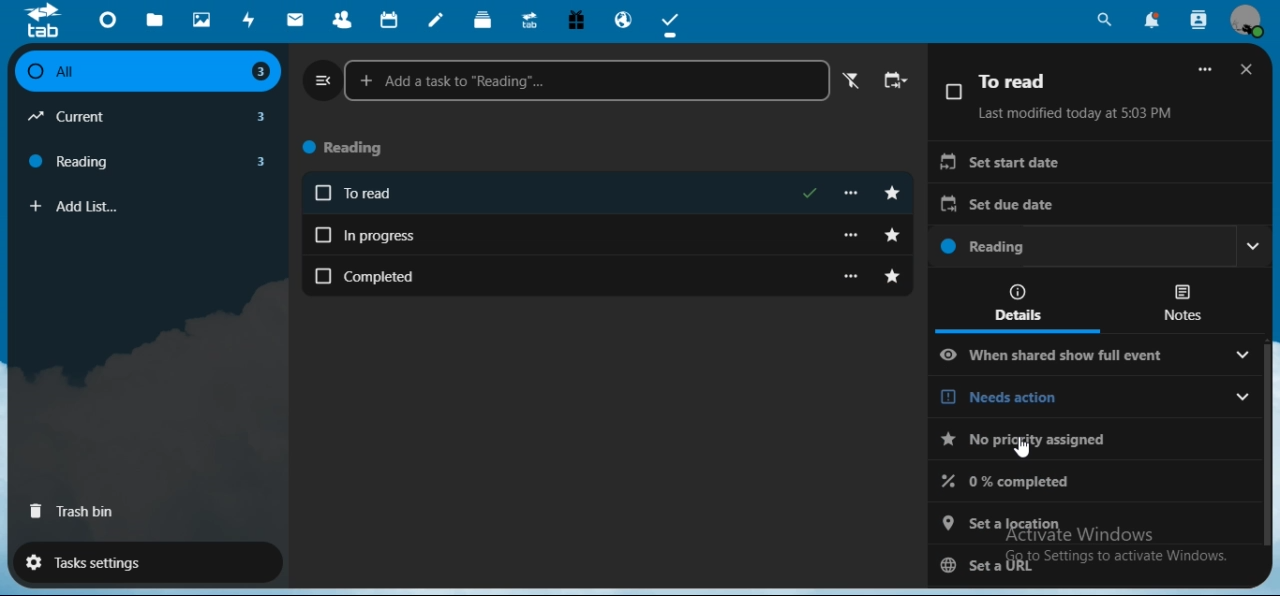  Describe the element at coordinates (1243, 356) in the screenshot. I see `Drop down` at that location.